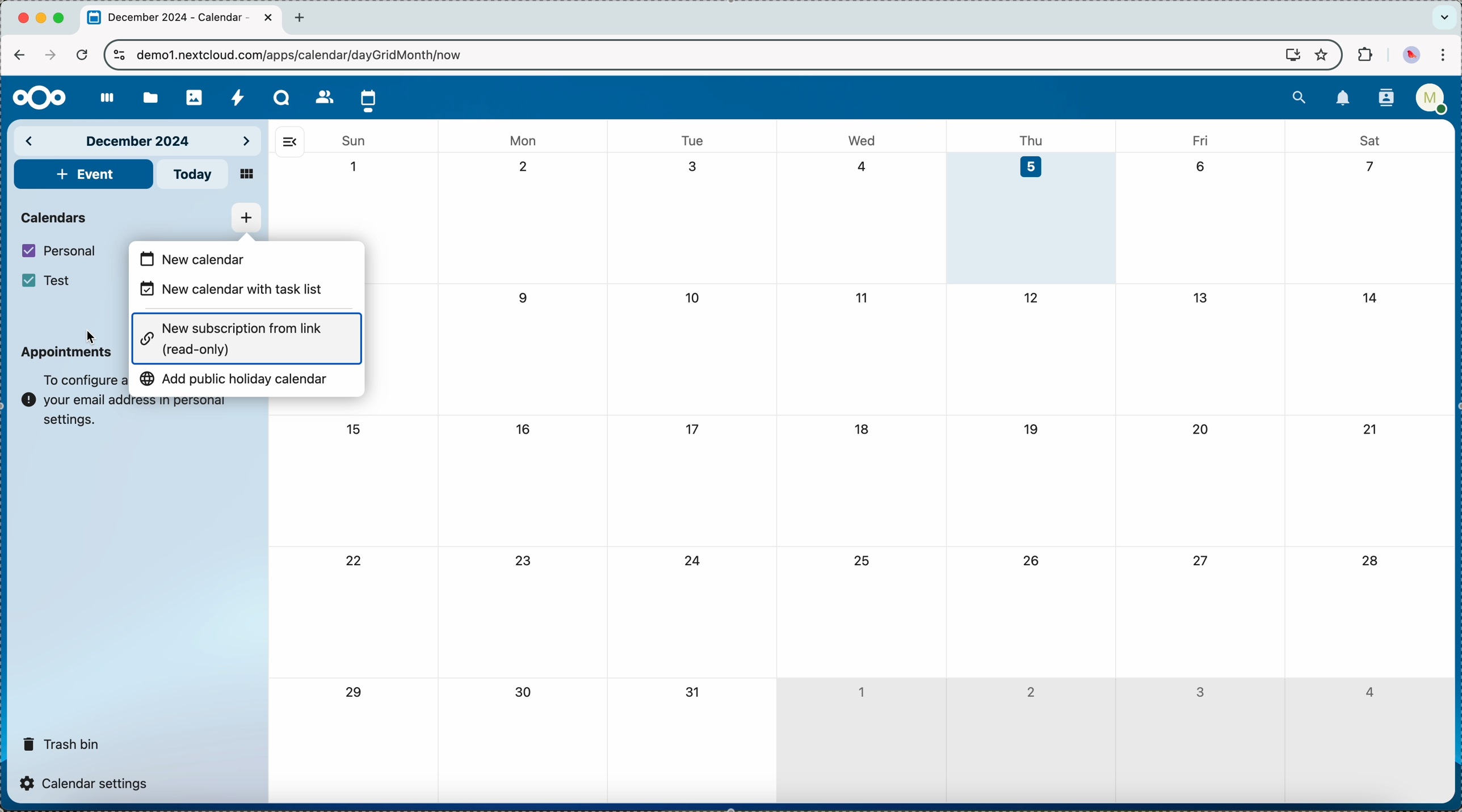 The image size is (1462, 812). I want to click on photos, so click(194, 94).